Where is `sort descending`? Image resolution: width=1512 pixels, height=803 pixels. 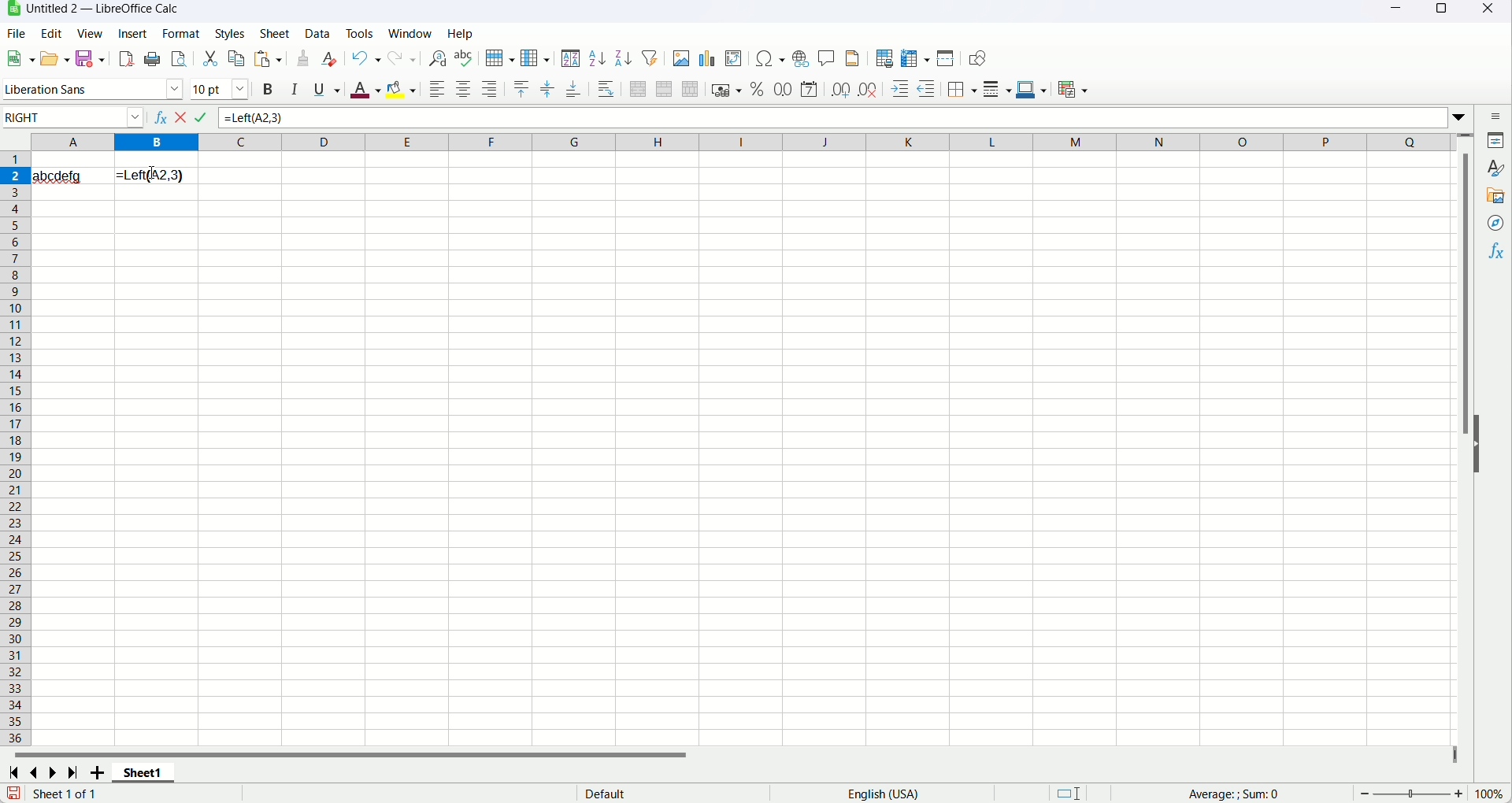
sort descending is located at coordinates (624, 59).